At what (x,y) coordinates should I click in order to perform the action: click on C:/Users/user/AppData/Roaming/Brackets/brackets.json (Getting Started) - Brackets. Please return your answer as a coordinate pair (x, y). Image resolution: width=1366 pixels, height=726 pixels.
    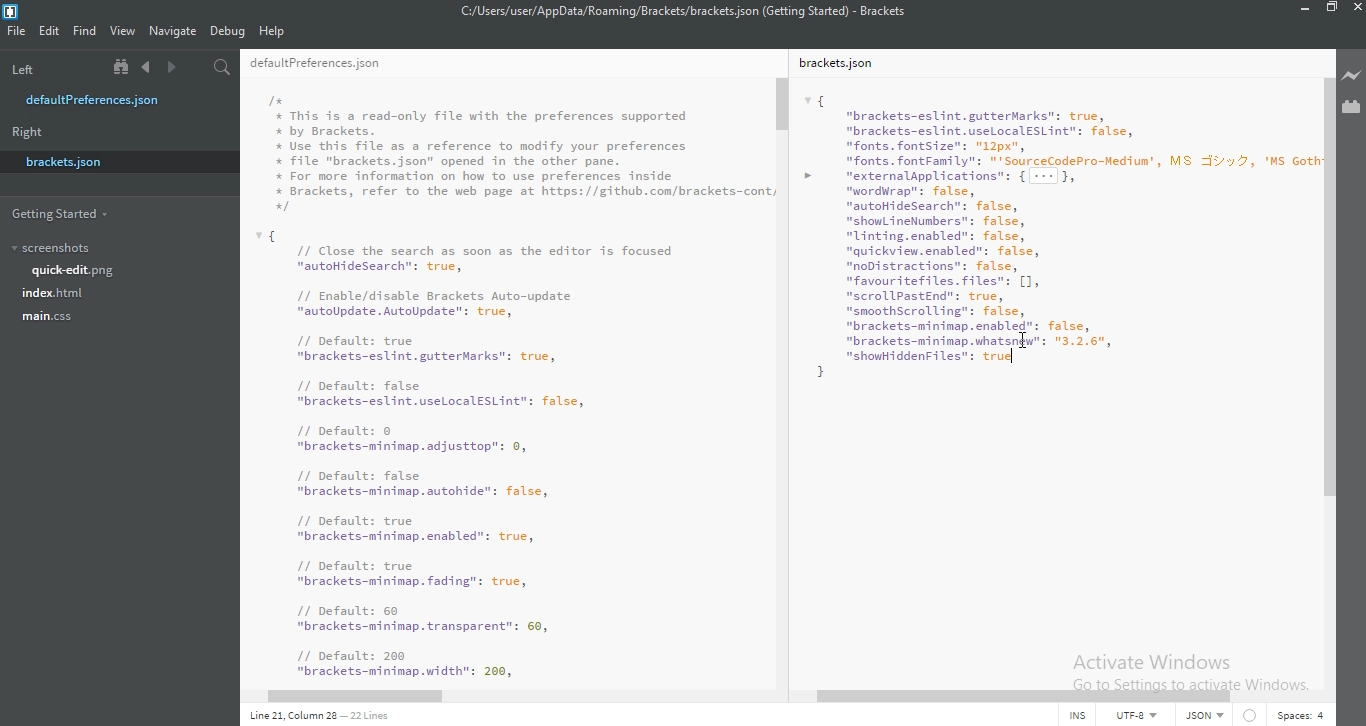
    Looking at the image, I should click on (680, 11).